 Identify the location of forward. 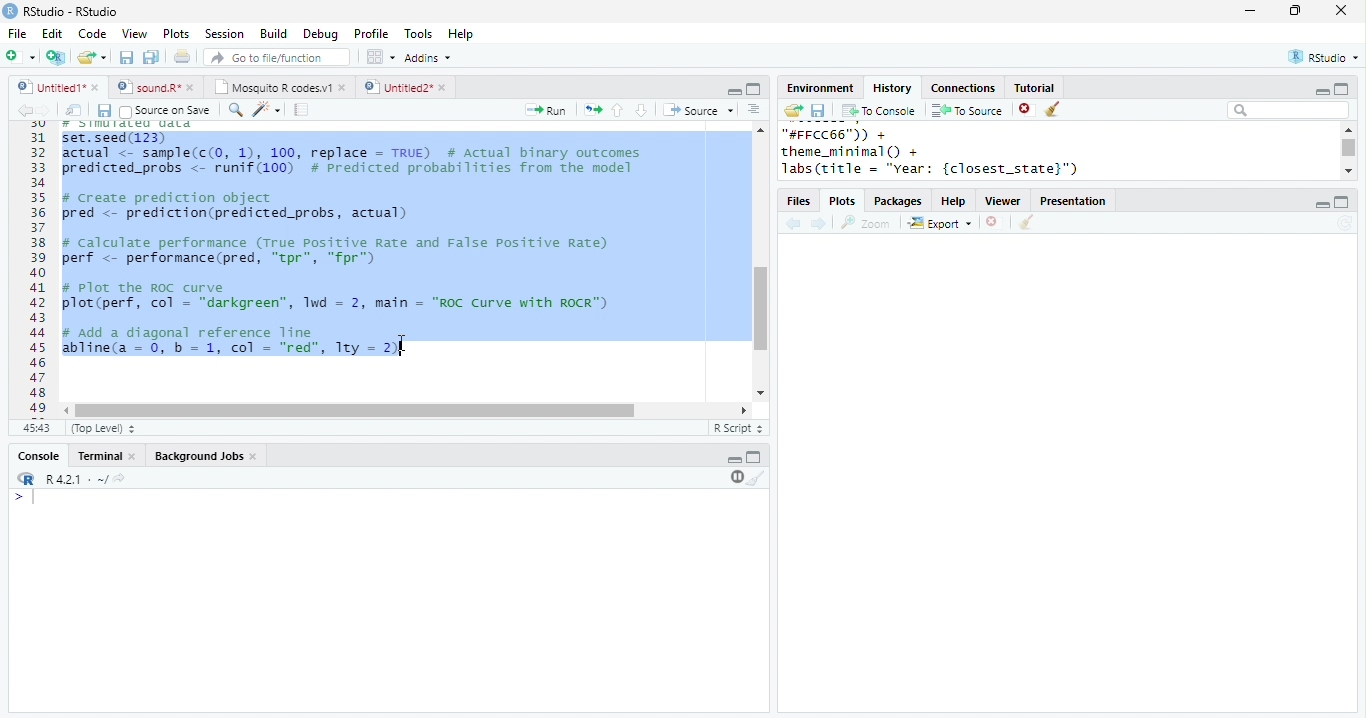
(44, 110).